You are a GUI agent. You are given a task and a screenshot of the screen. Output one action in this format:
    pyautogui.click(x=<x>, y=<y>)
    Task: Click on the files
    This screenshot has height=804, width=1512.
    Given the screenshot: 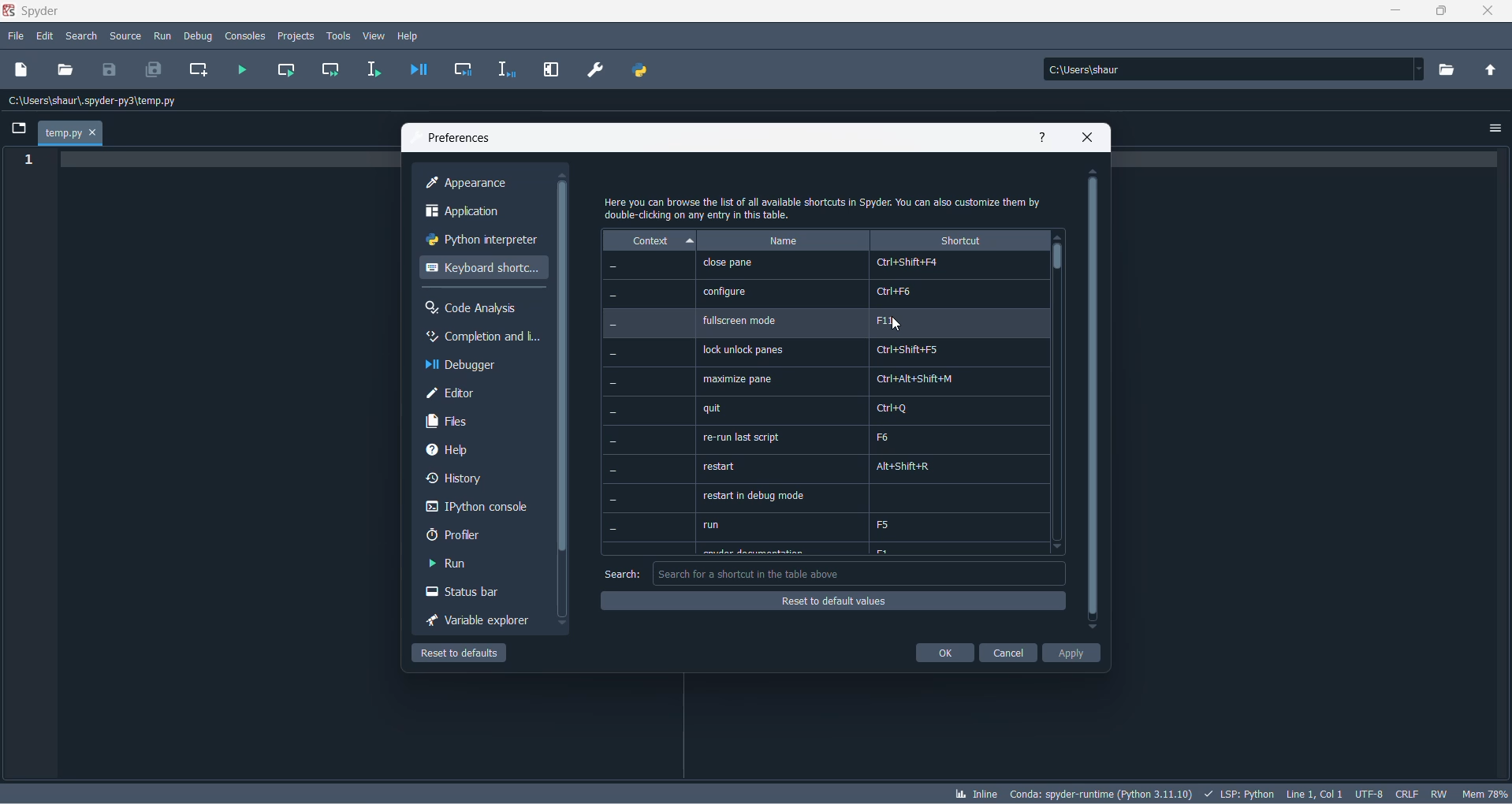 What is the action you would take?
    pyautogui.click(x=484, y=422)
    